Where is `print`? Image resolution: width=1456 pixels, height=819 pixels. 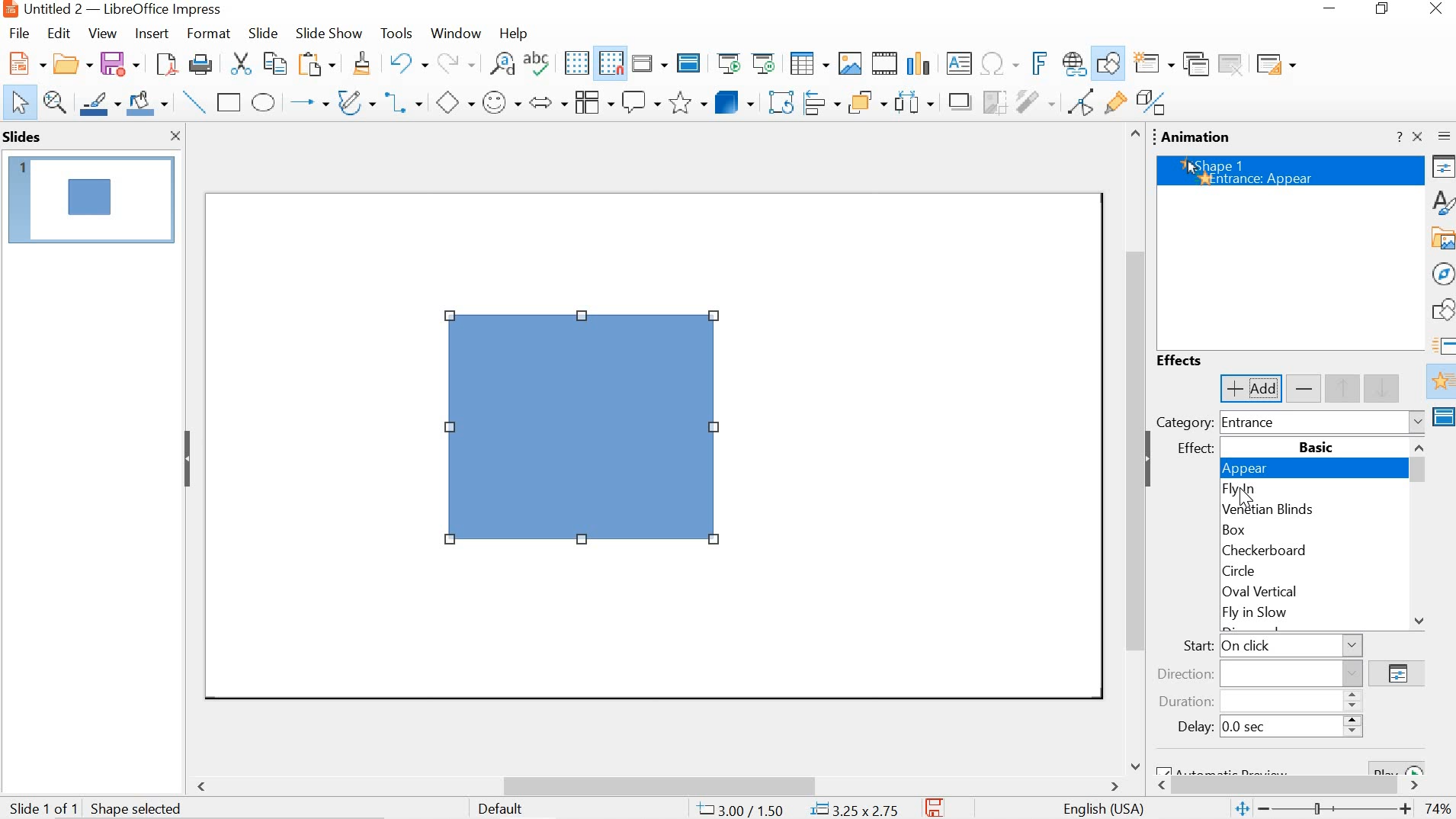 print is located at coordinates (199, 64).